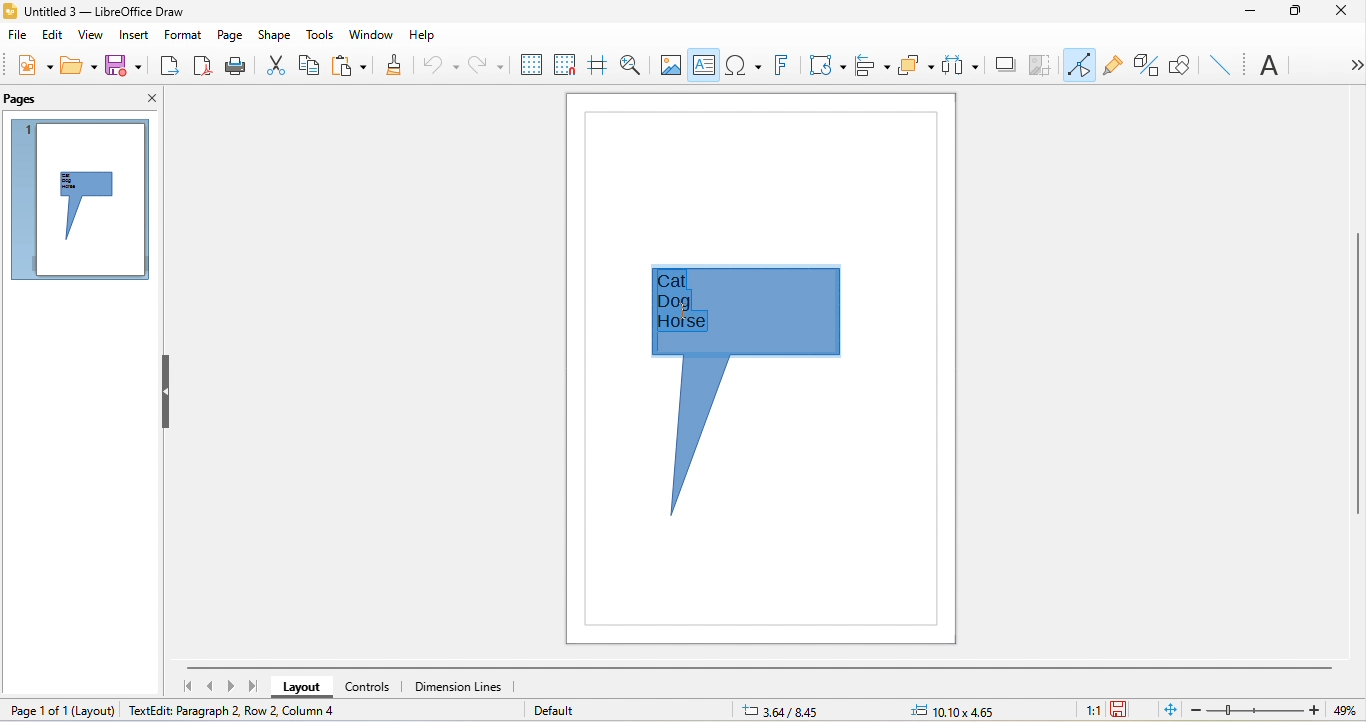 This screenshot has height=722, width=1366. I want to click on layout, so click(304, 688).